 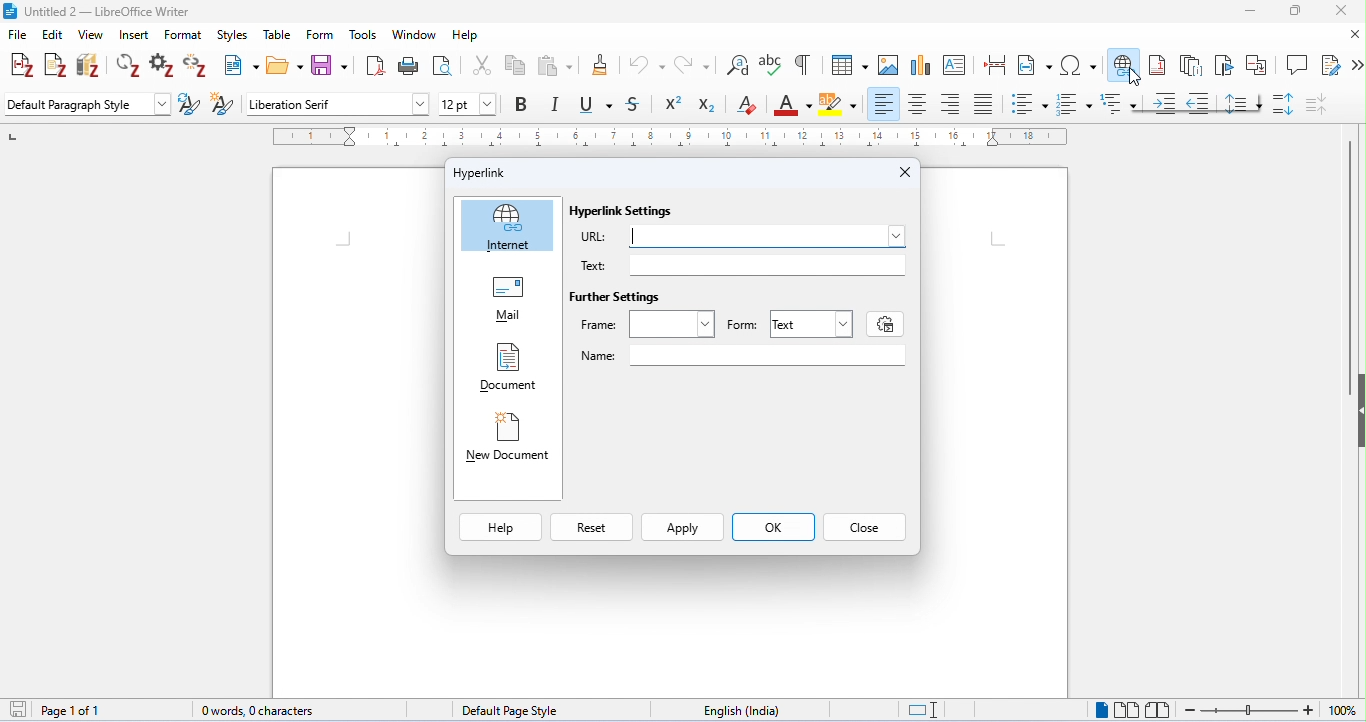 What do you see at coordinates (1248, 12) in the screenshot?
I see `minimize` at bounding box center [1248, 12].